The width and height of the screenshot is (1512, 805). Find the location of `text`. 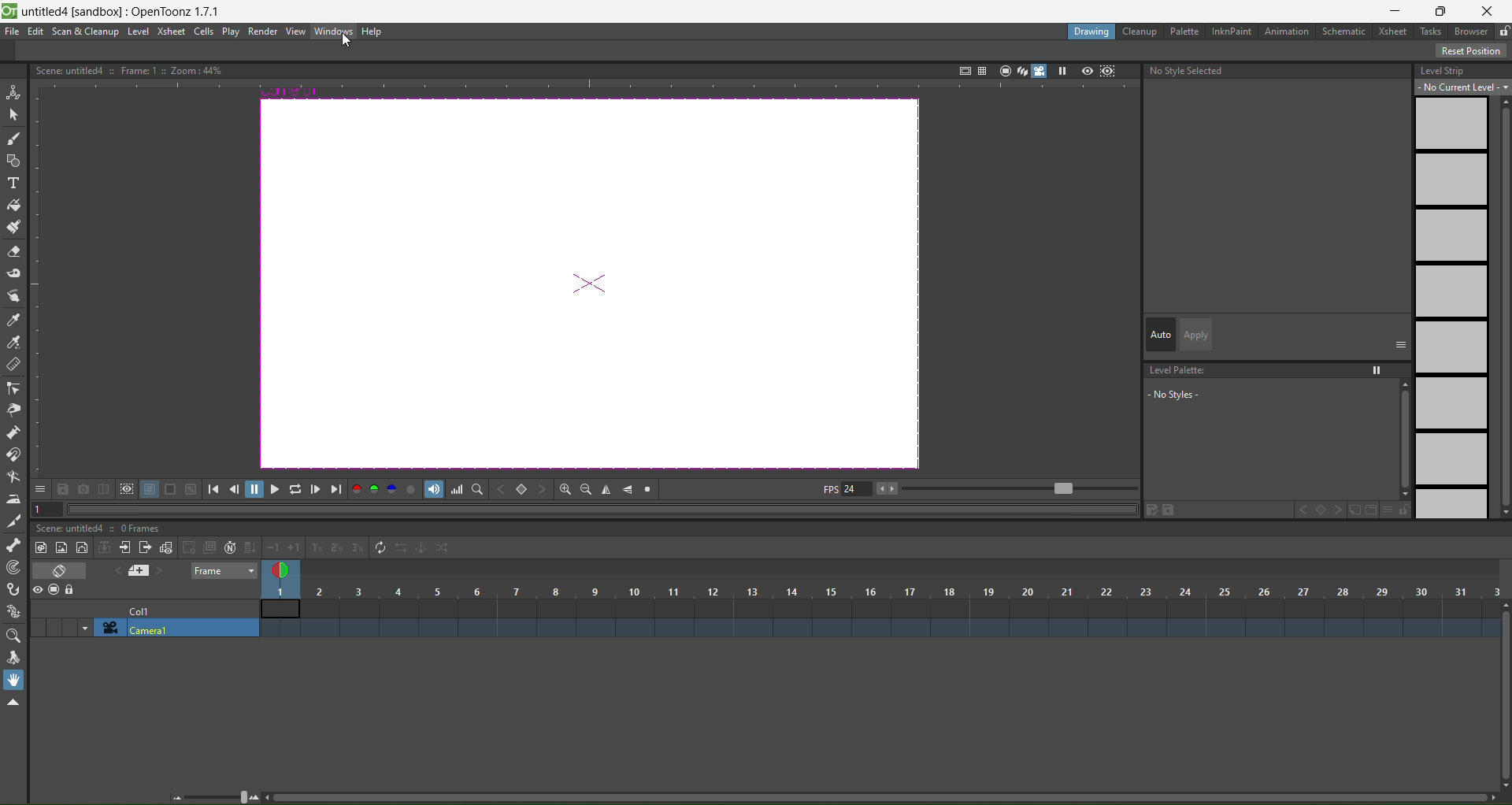

text is located at coordinates (128, 69).